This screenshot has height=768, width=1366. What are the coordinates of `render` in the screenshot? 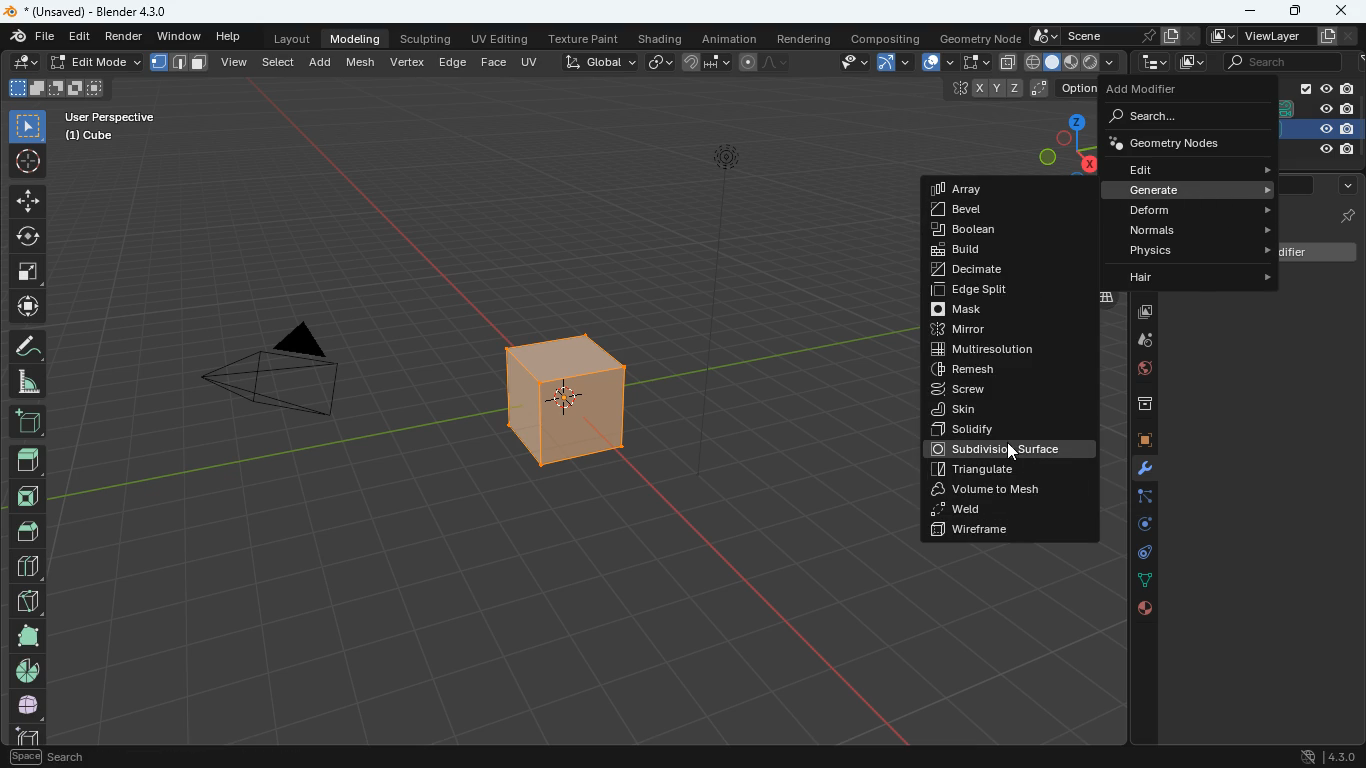 It's located at (124, 37).